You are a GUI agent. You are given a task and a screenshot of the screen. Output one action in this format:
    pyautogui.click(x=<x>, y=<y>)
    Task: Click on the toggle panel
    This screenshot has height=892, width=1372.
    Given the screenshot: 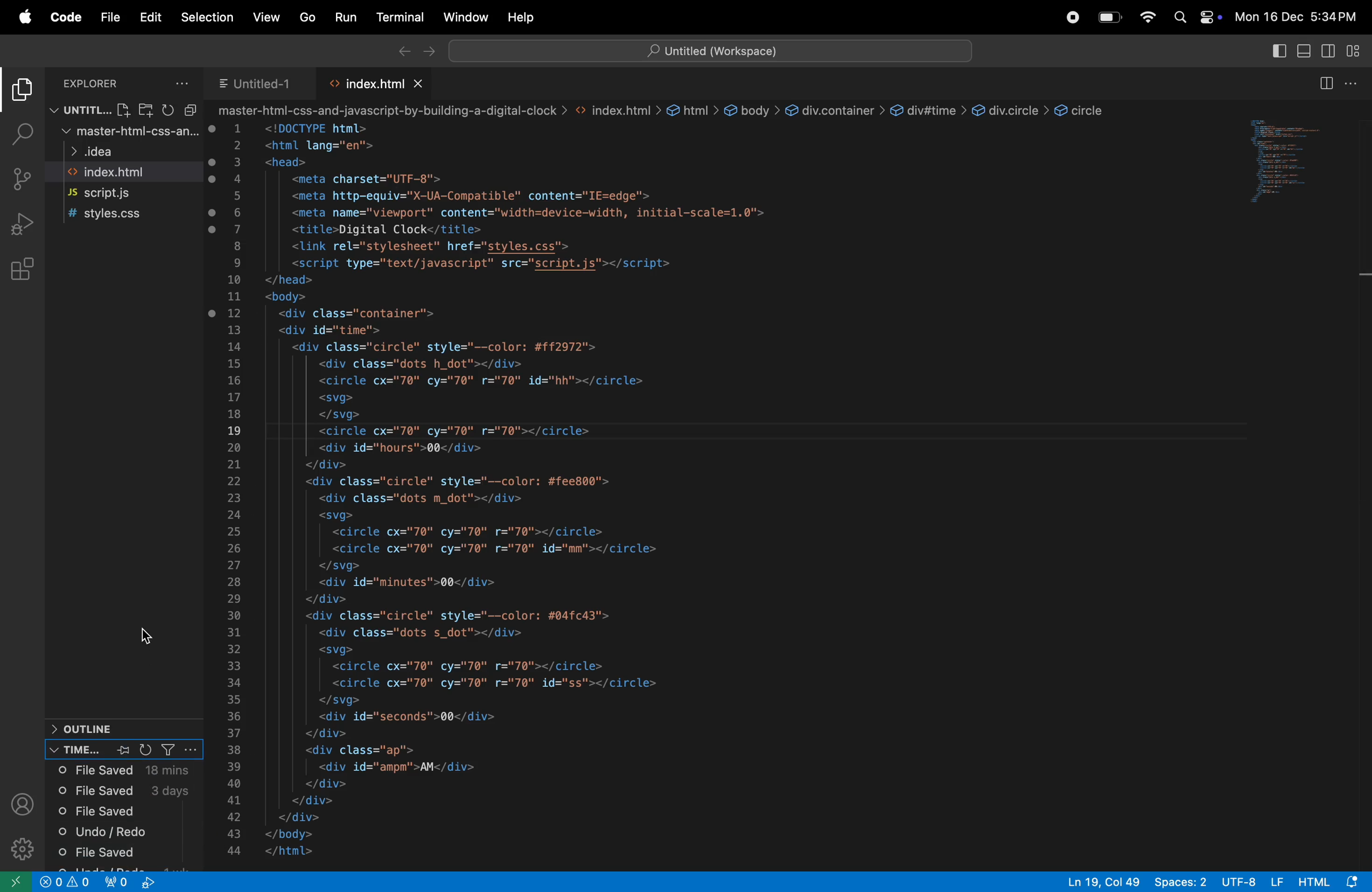 What is the action you would take?
    pyautogui.click(x=1305, y=52)
    